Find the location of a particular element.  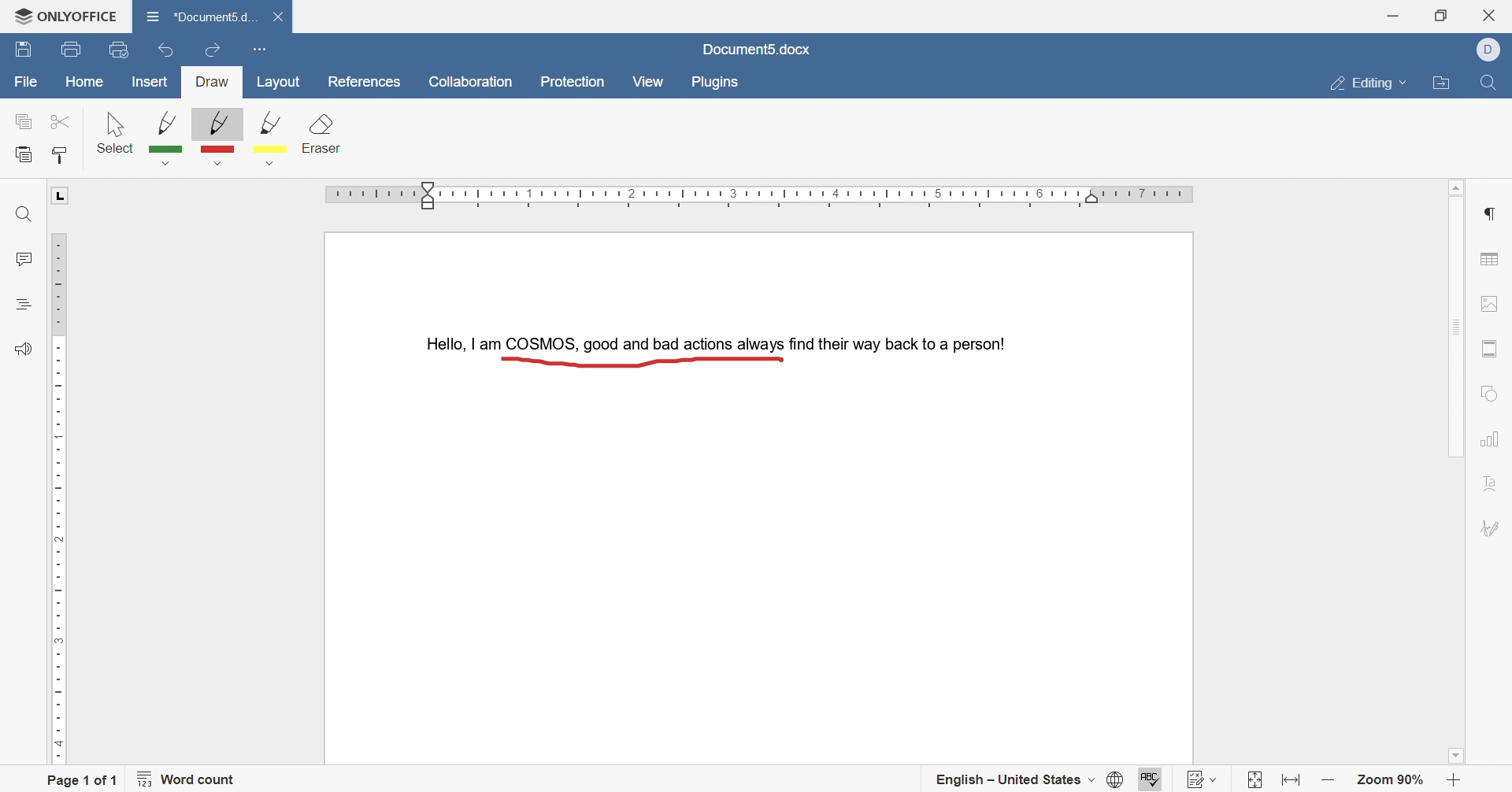

spell checking is located at coordinates (1148, 777).